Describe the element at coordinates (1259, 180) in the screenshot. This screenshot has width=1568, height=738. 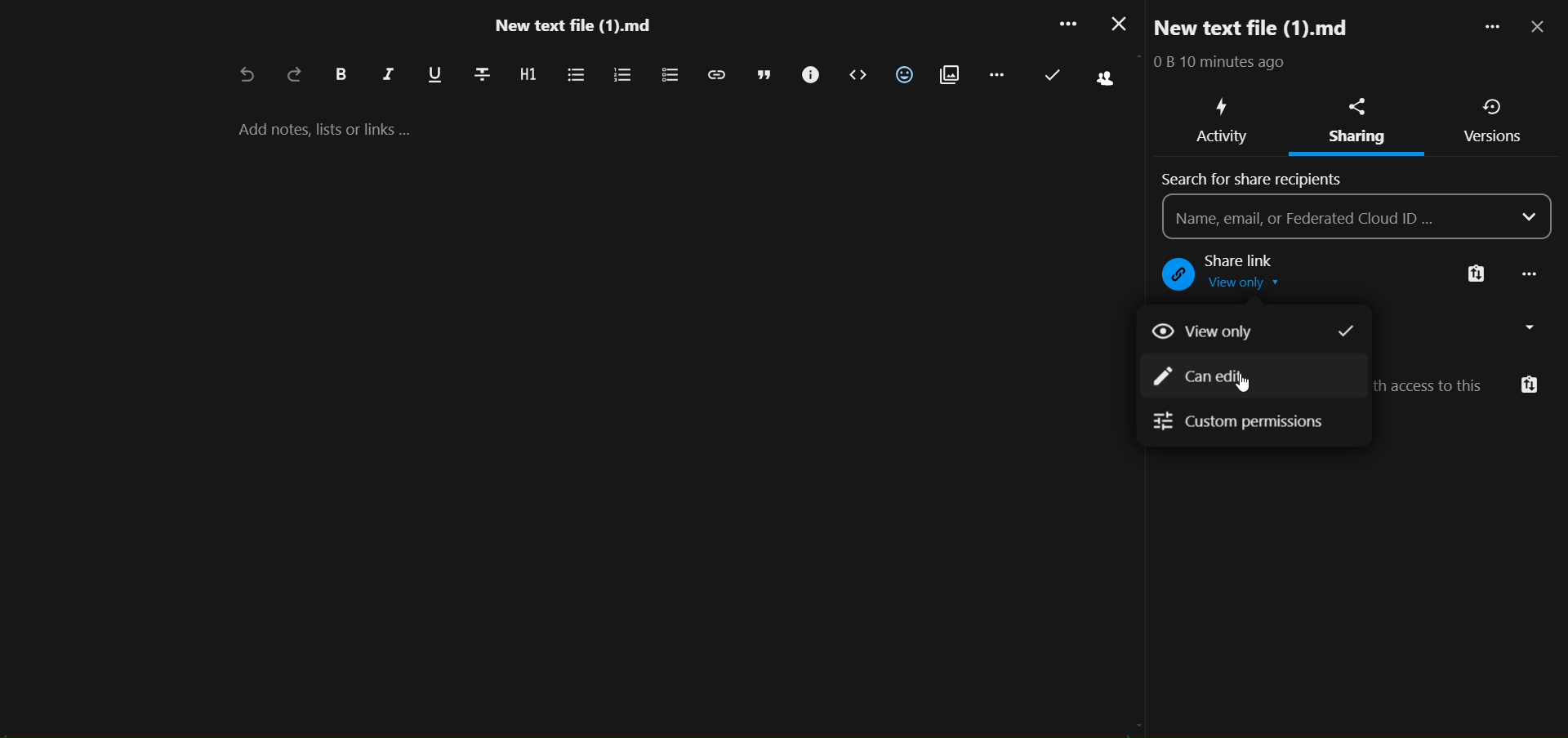
I see `search for share recipients` at that location.